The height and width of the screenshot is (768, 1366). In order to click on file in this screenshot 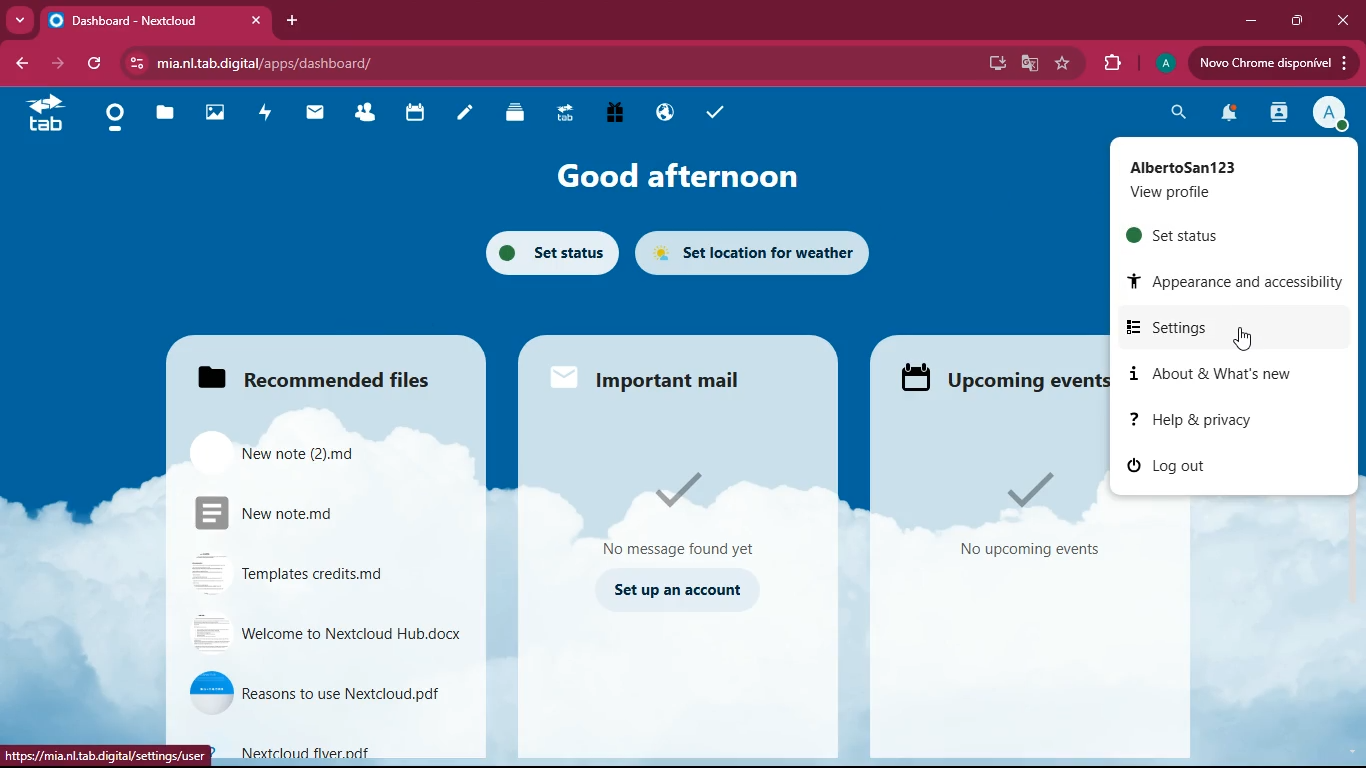, I will do `click(288, 451)`.